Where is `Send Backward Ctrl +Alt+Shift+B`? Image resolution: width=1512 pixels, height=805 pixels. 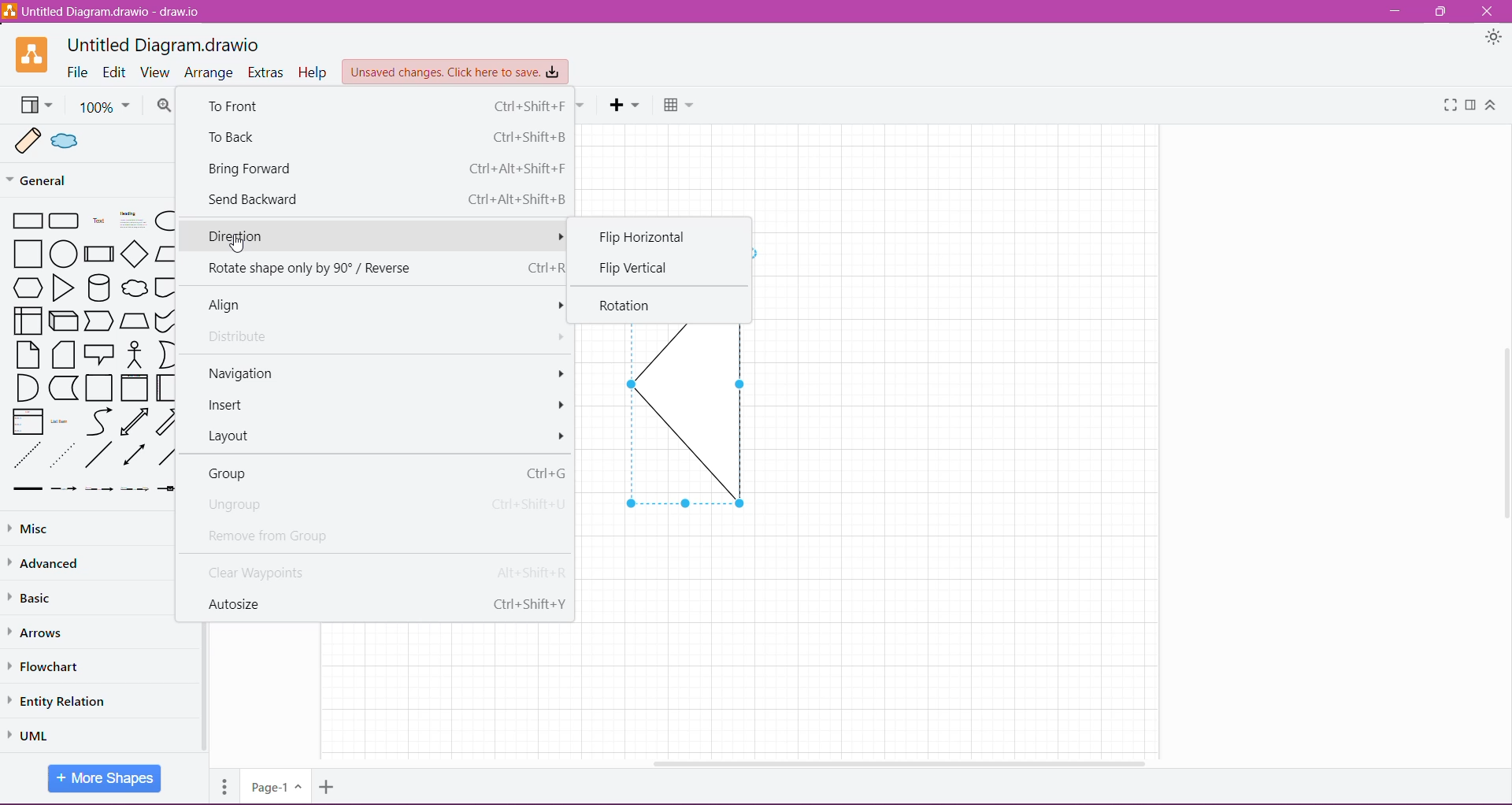 Send Backward Ctrl +Alt+Shift+B is located at coordinates (388, 202).